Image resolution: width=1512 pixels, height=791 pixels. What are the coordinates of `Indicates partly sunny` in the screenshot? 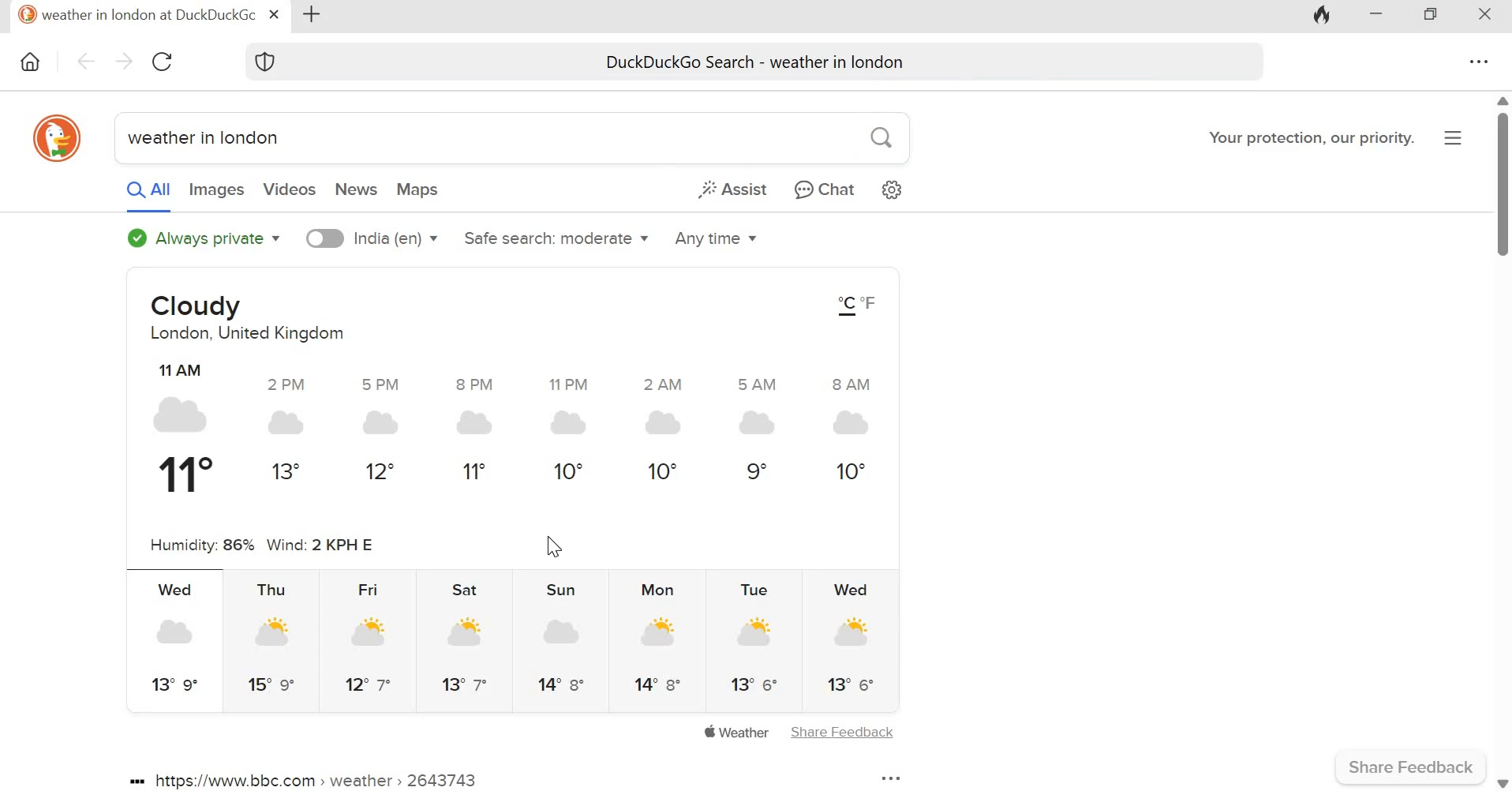 It's located at (852, 632).